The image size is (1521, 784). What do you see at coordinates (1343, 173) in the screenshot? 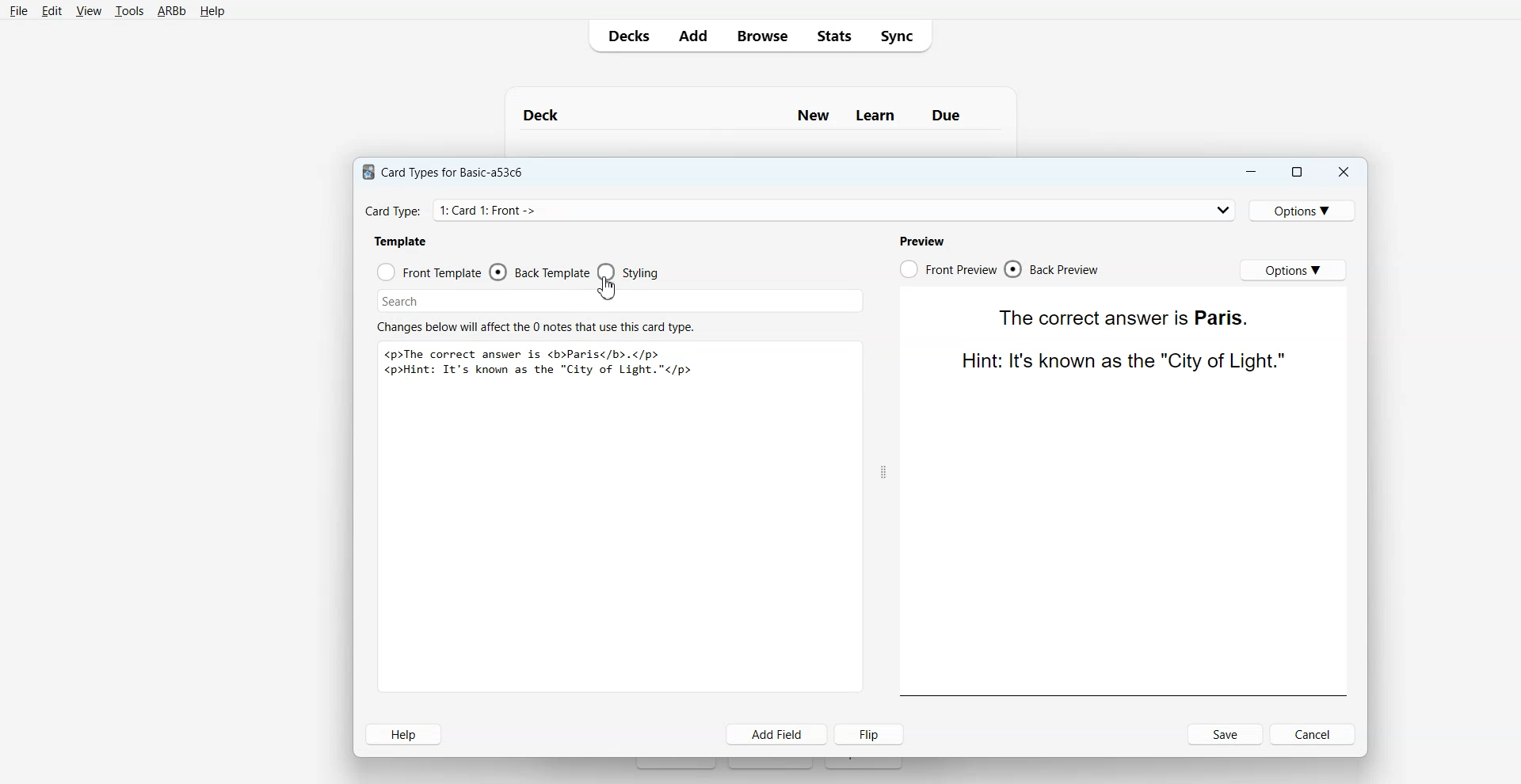
I see `Close` at bounding box center [1343, 173].